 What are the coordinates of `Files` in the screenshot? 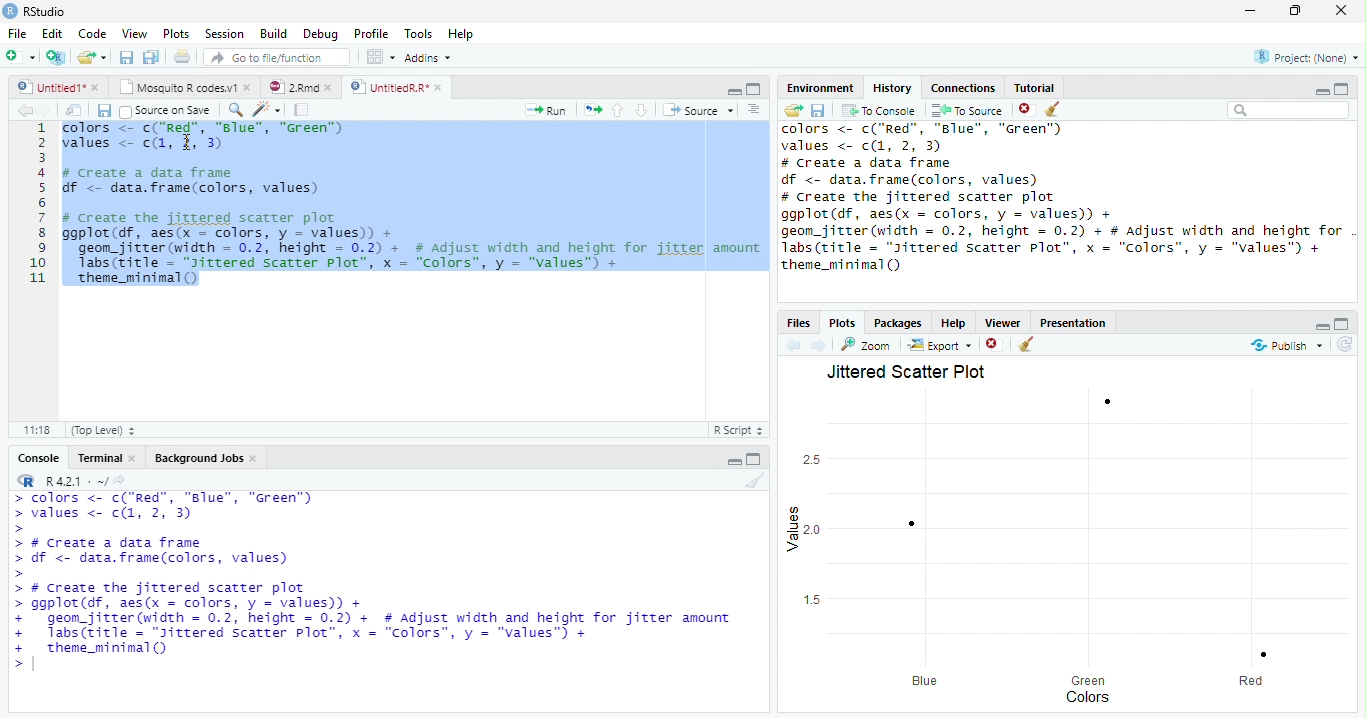 It's located at (799, 323).